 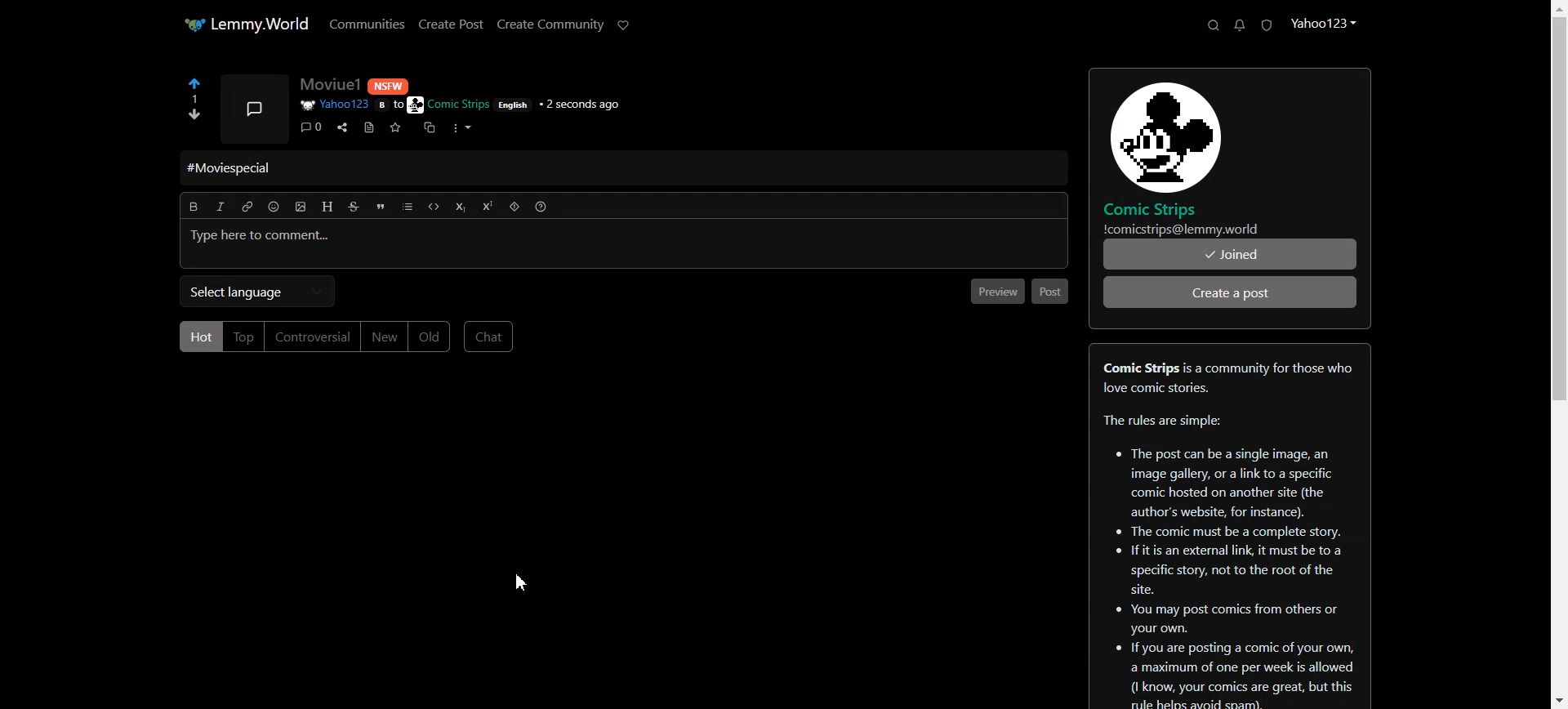 What do you see at coordinates (430, 337) in the screenshot?
I see `Old` at bounding box center [430, 337].